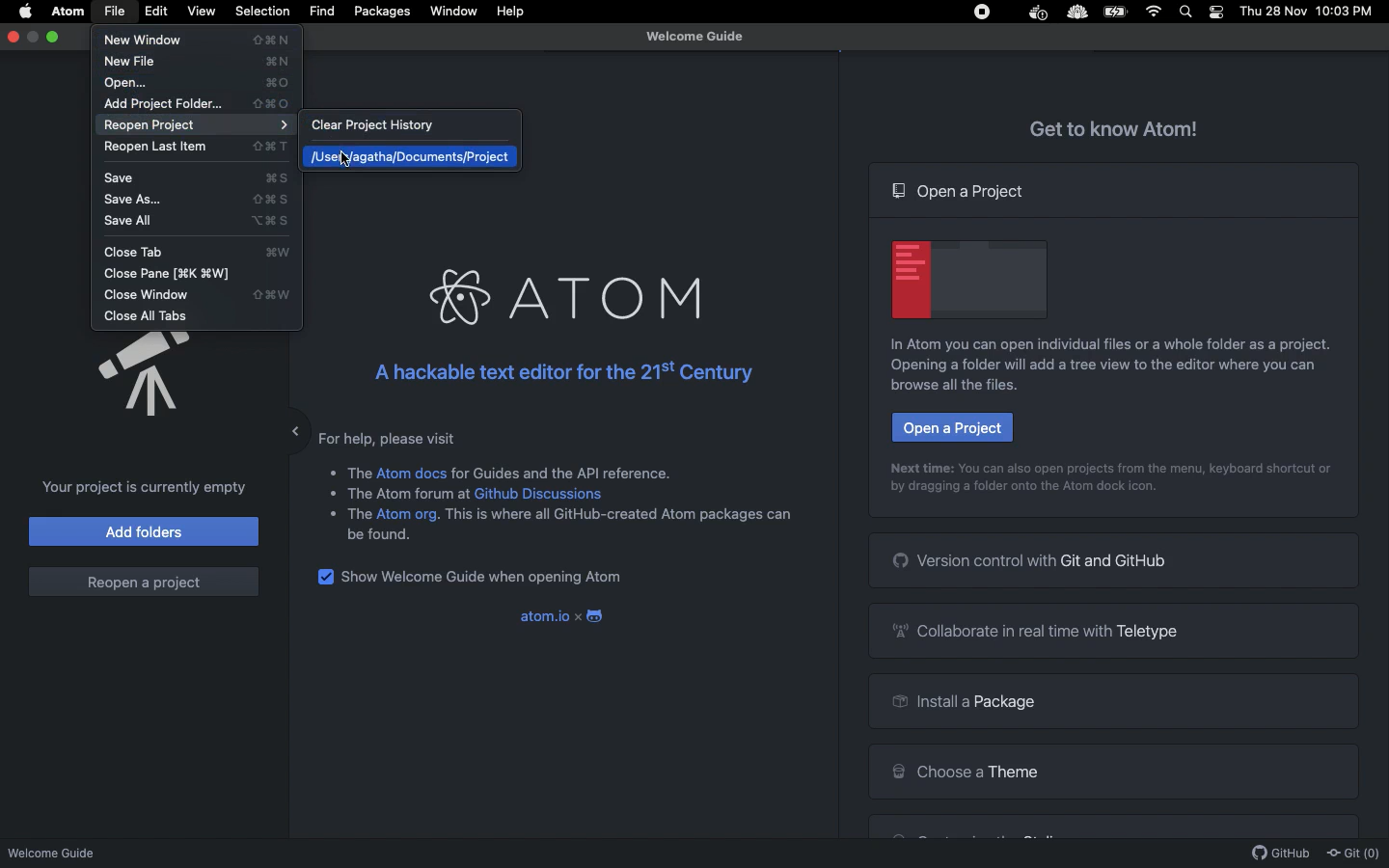 The height and width of the screenshot is (868, 1389). What do you see at coordinates (408, 517) in the screenshot?
I see `Atom org` at bounding box center [408, 517].